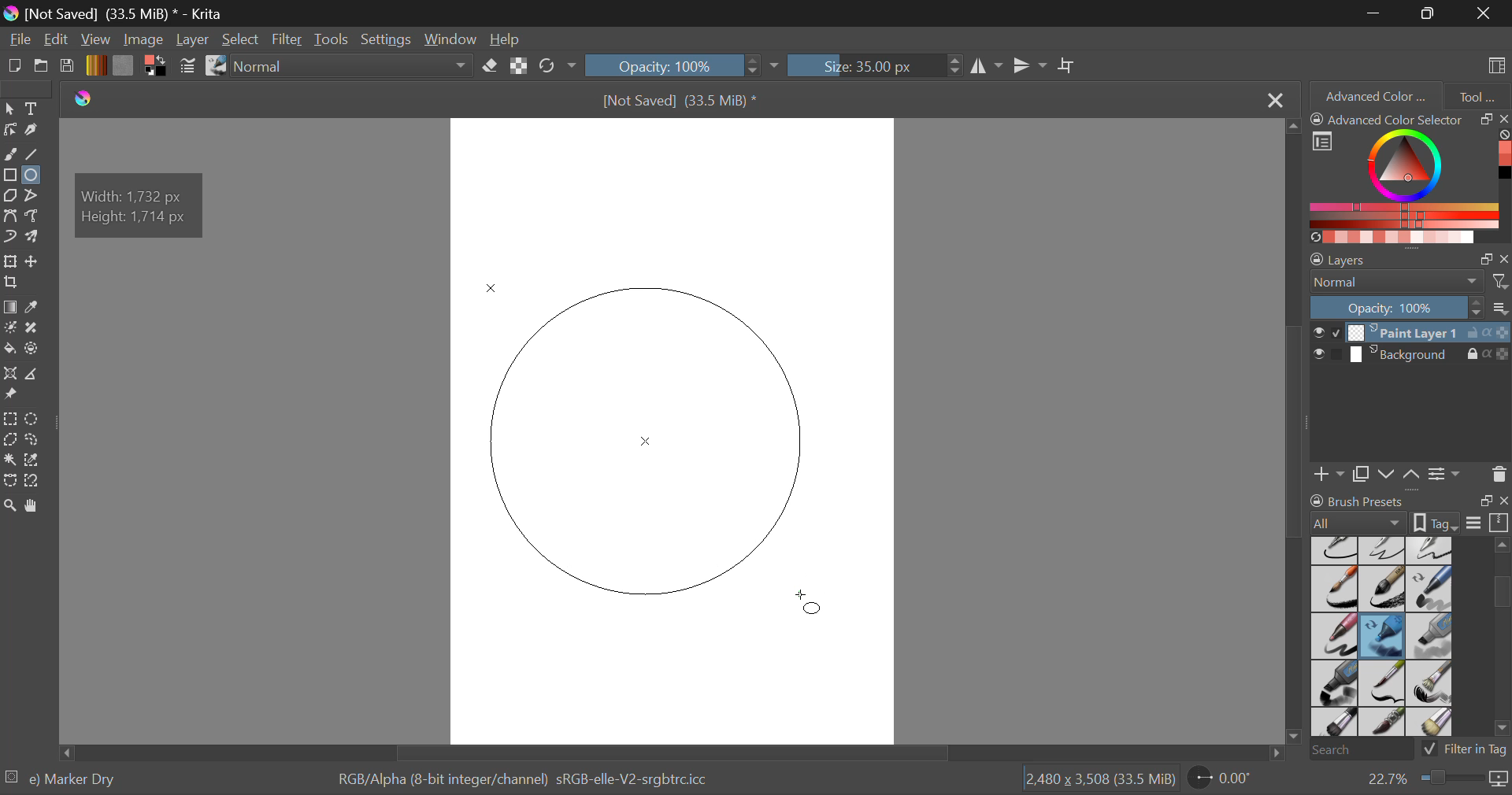  Describe the element at coordinates (1104, 779) in the screenshot. I see `Page Dimensions` at that location.